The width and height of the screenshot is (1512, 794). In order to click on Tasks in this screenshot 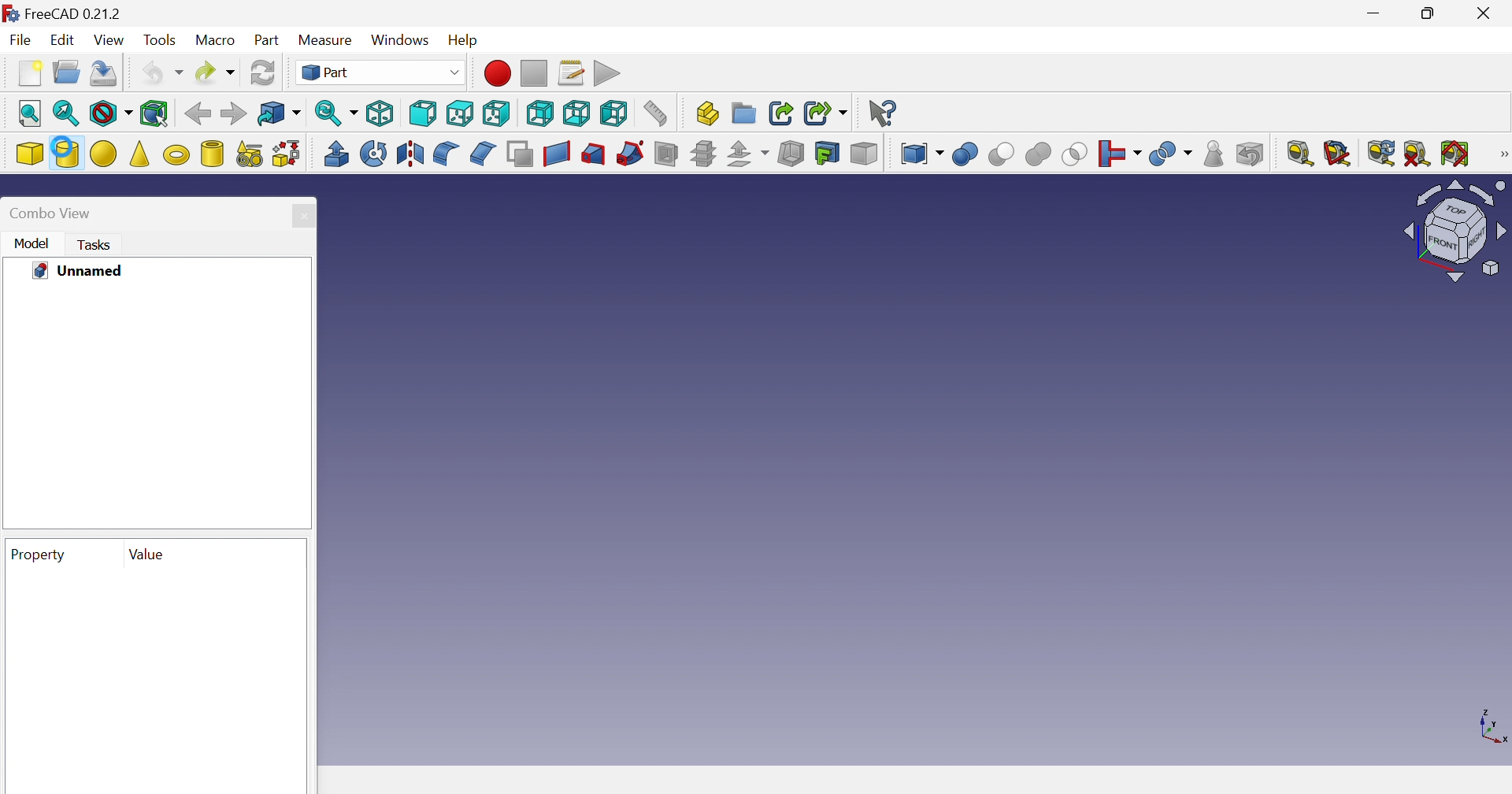, I will do `click(95, 244)`.